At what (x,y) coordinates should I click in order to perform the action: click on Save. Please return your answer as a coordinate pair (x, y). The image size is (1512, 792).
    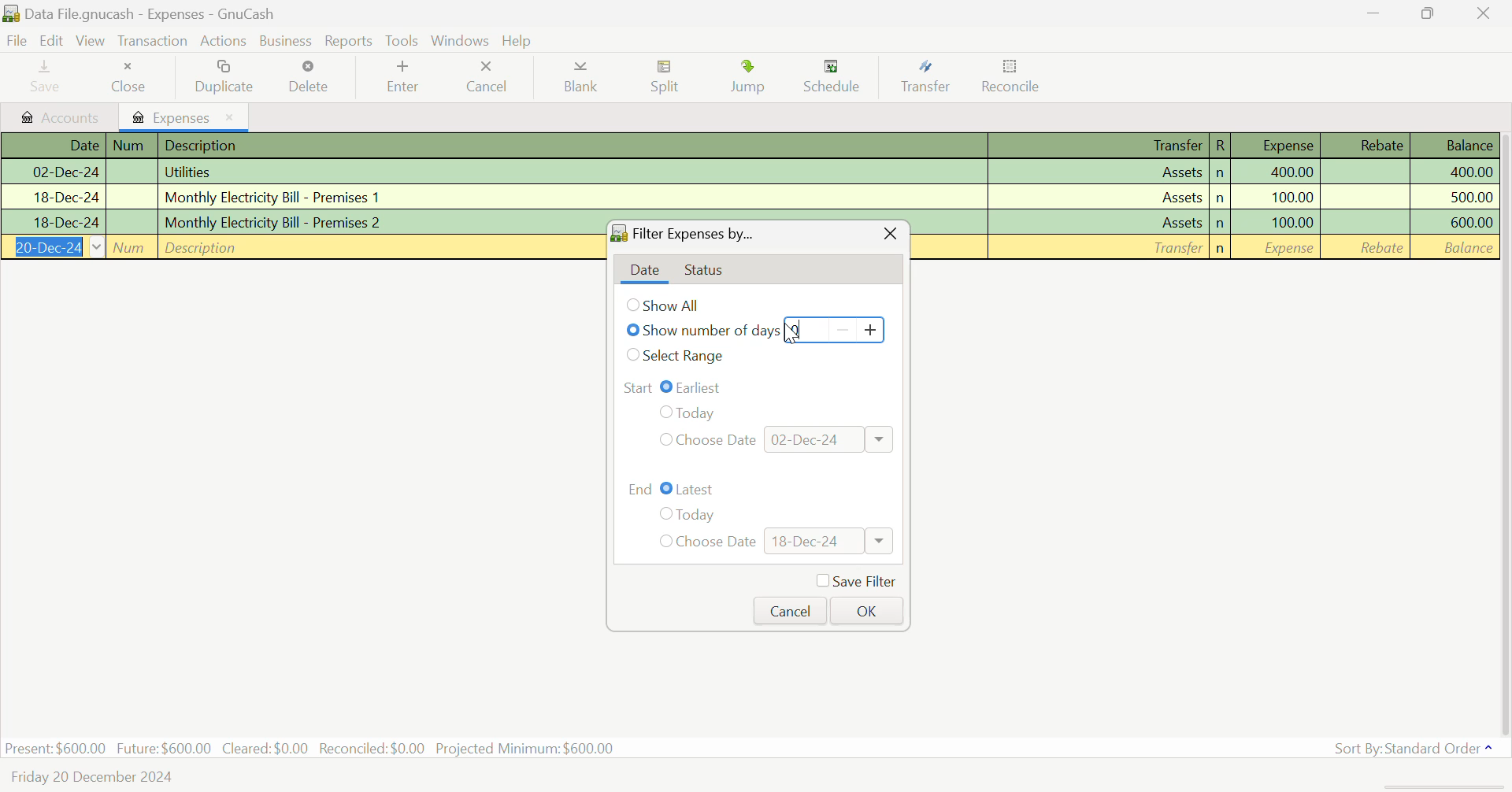
    Looking at the image, I should click on (47, 77).